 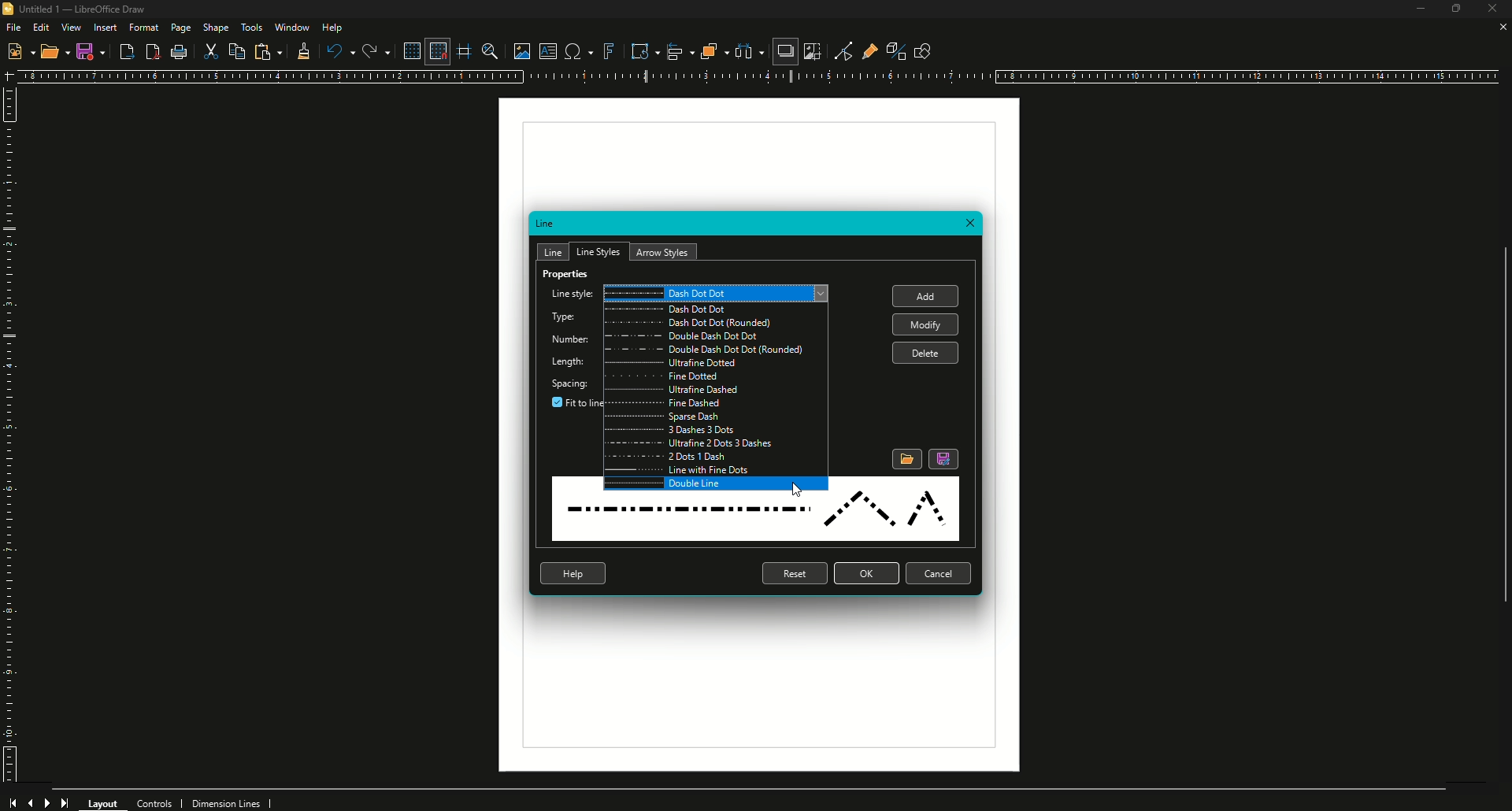 I want to click on Restore, so click(x=1454, y=10).